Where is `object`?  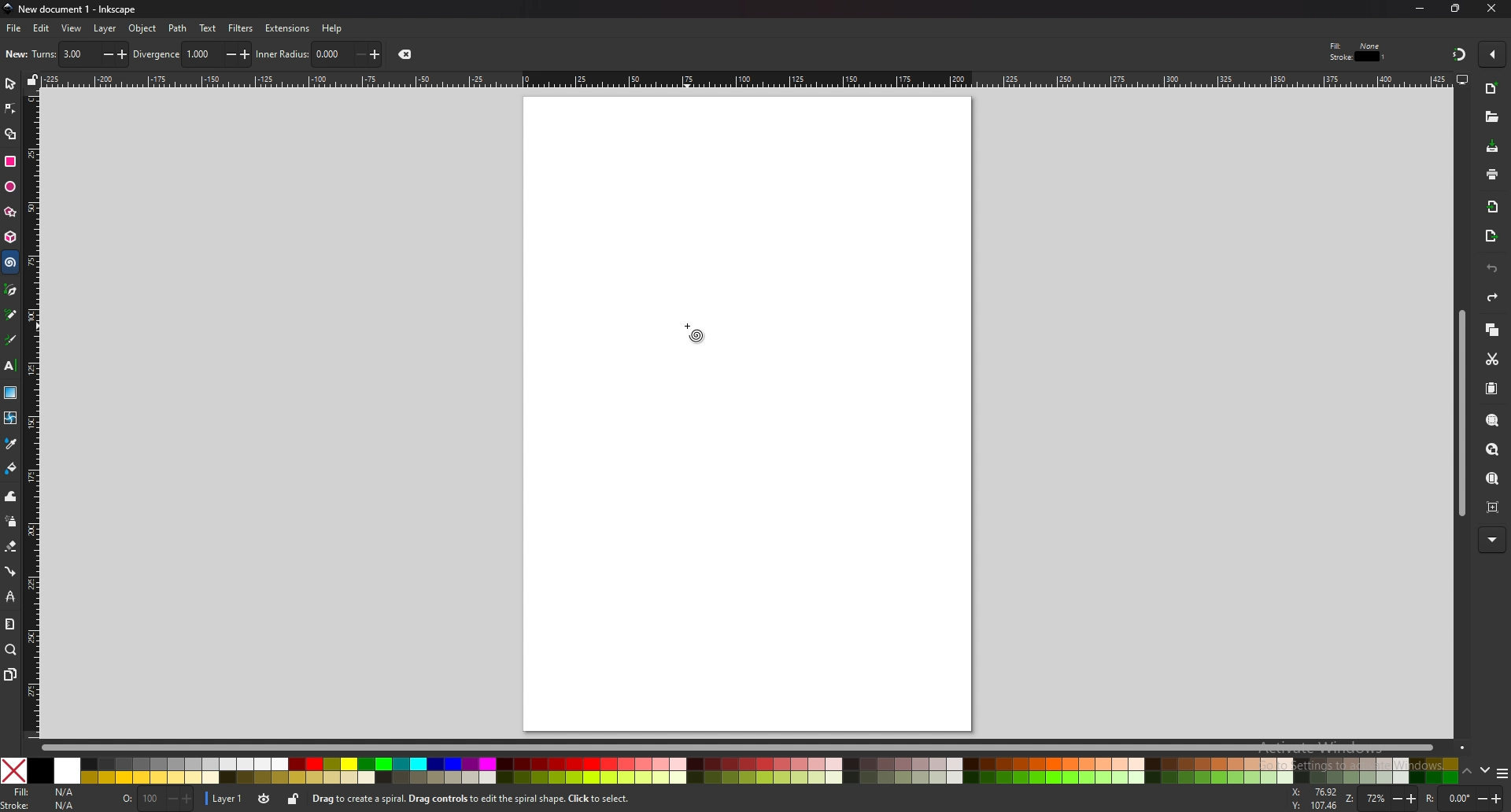 object is located at coordinates (144, 28).